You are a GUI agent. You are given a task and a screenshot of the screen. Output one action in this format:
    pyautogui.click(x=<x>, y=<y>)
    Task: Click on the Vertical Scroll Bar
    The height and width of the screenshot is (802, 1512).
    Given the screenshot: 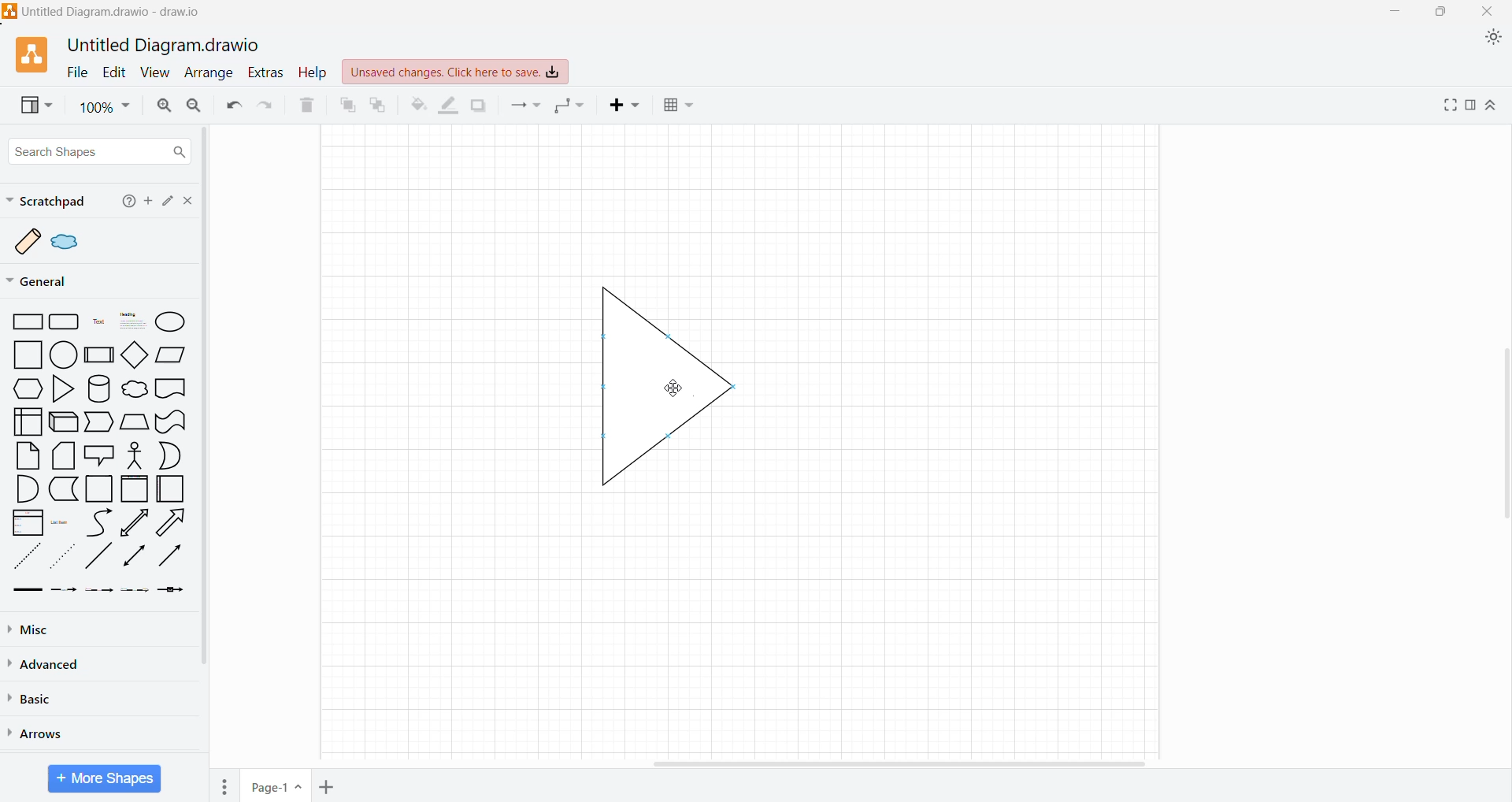 What is the action you would take?
    pyautogui.click(x=1503, y=436)
    